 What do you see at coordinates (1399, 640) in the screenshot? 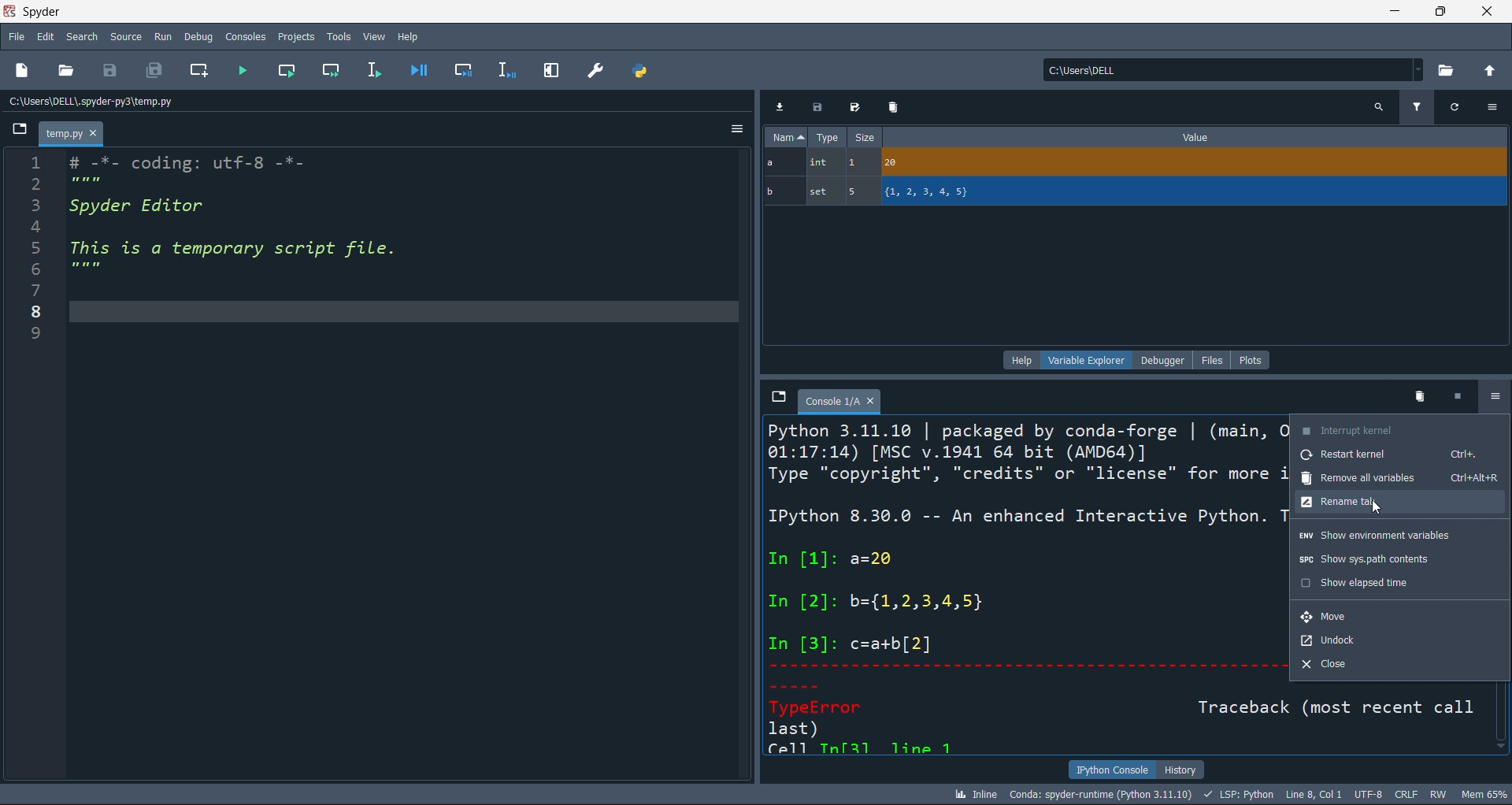
I see `undock ` at bounding box center [1399, 640].